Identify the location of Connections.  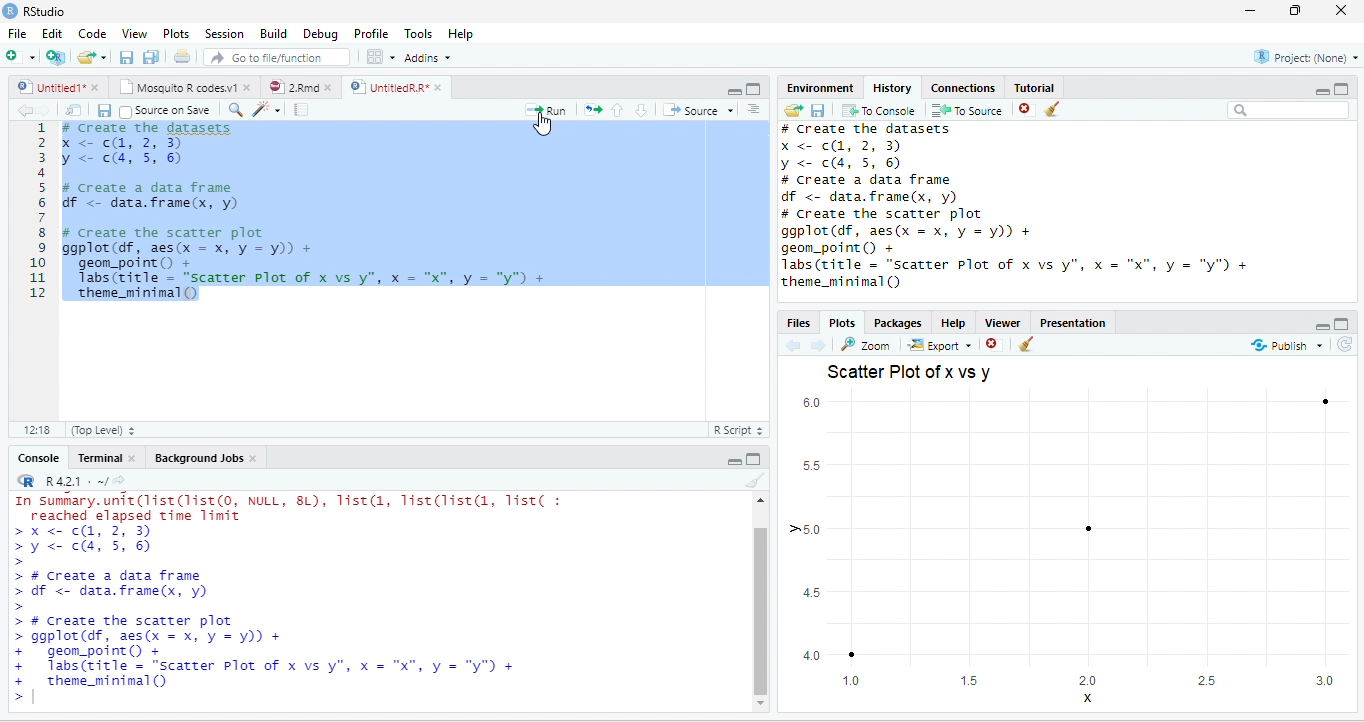
(964, 87).